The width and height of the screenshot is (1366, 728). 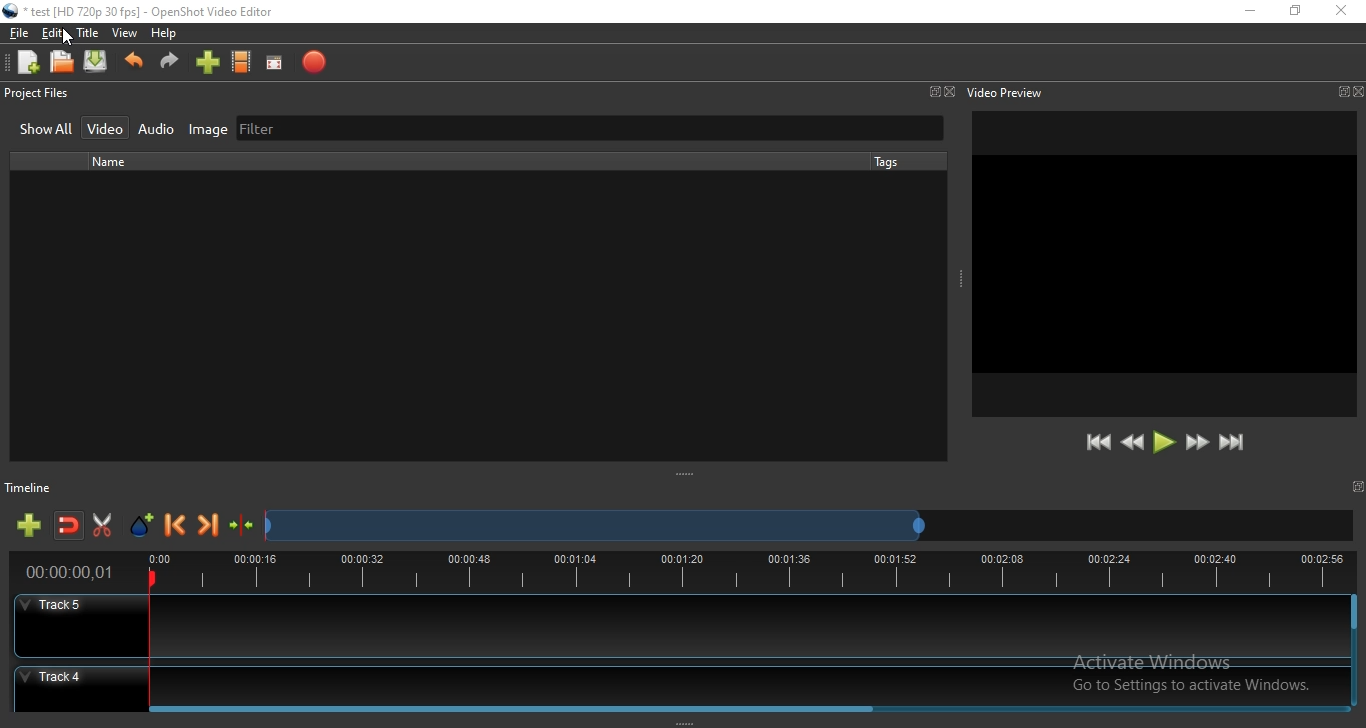 What do you see at coordinates (134, 66) in the screenshot?
I see `Undo` at bounding box center [134, 66].